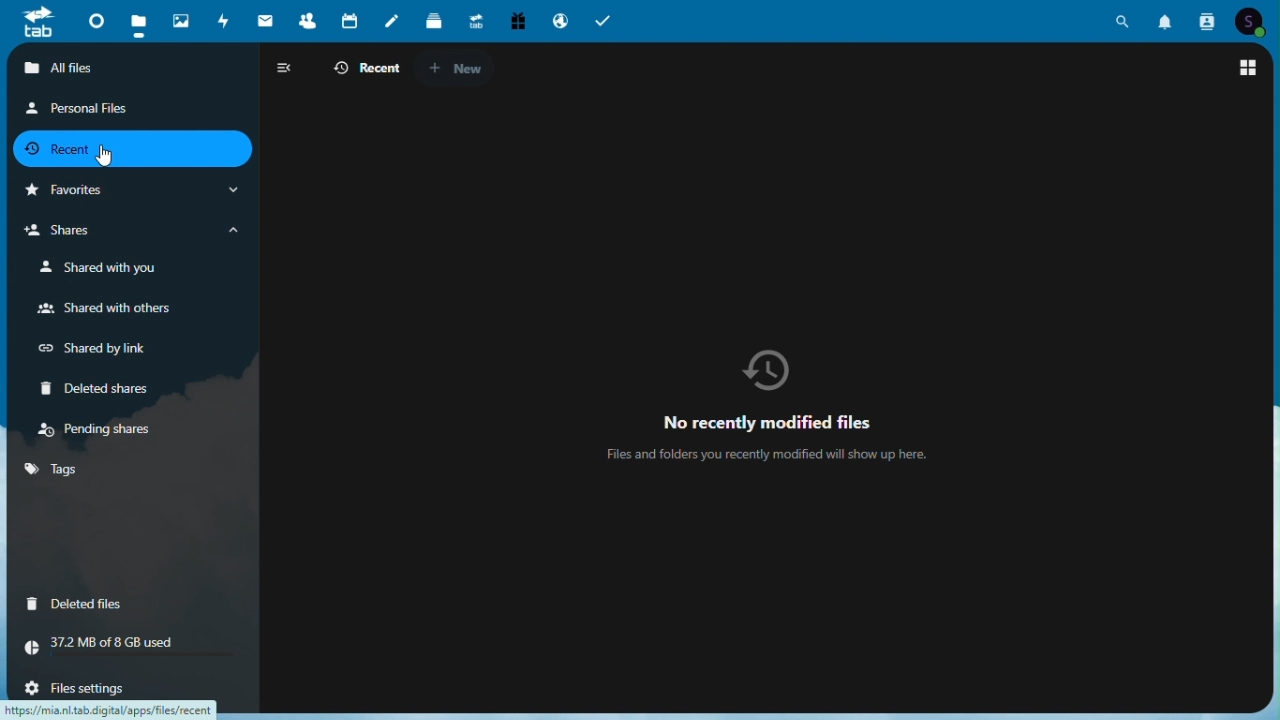  What do you see at coordinates (515, 20) in the screenshot?
I see `Free trial` at bounding box center [515, 20].